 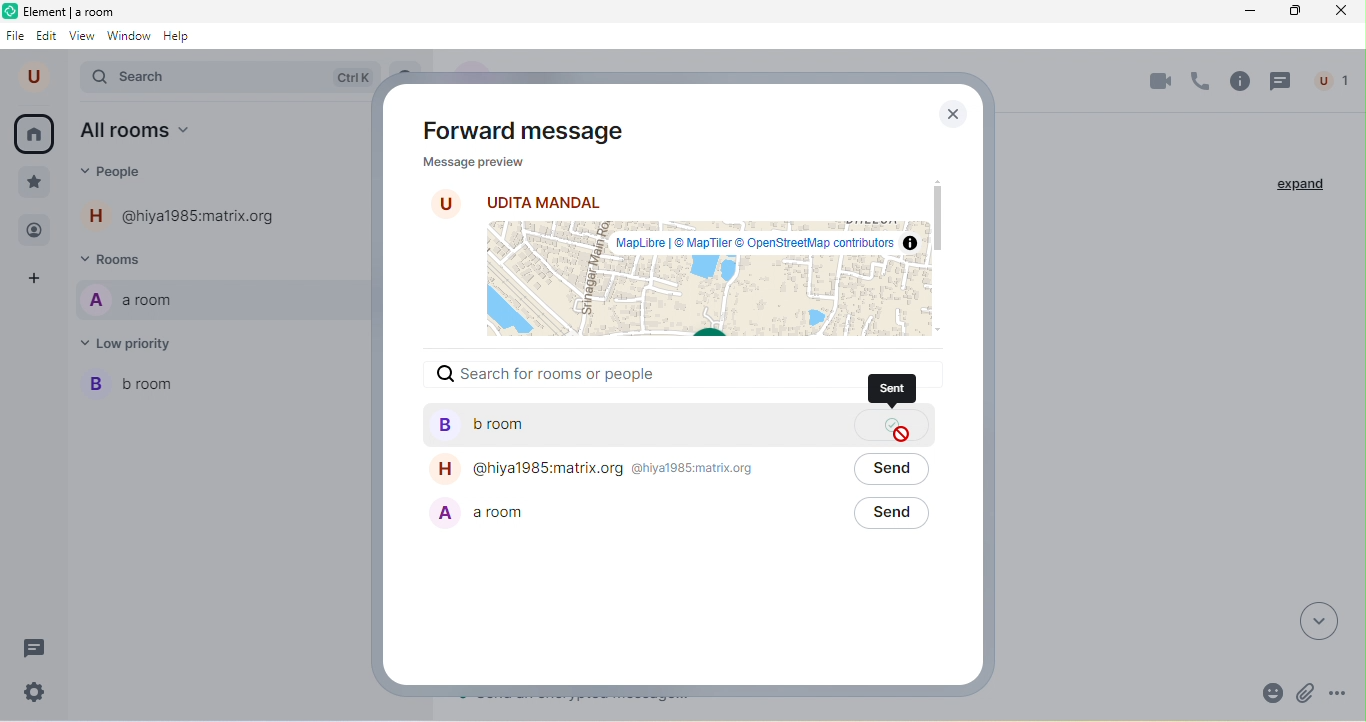 I want to click on video chat, so click(x=1165, y=81).